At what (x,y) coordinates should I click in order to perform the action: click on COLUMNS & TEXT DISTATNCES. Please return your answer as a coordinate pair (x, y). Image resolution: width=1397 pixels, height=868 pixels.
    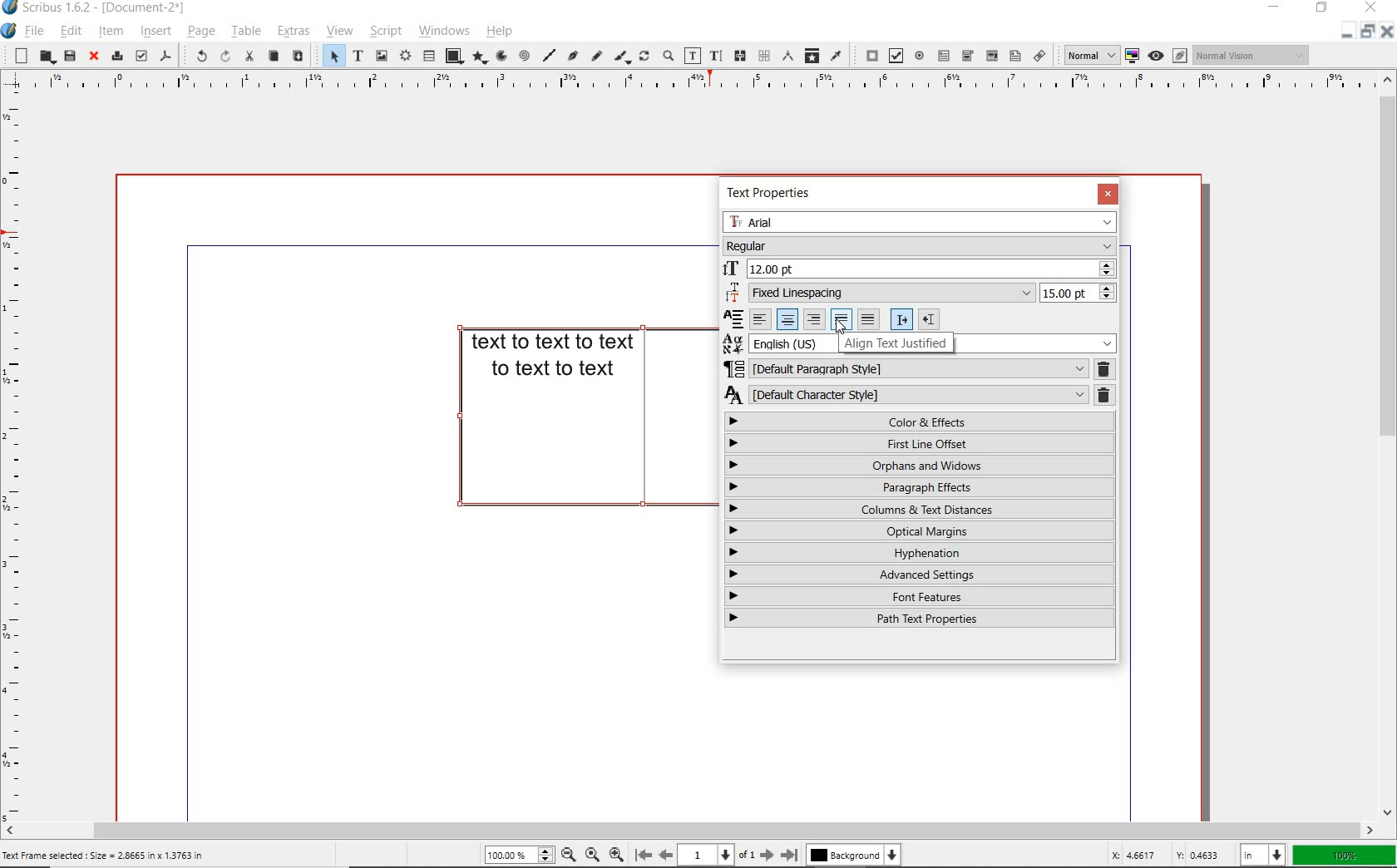
    Looking at the image, I should click on (921, 510).